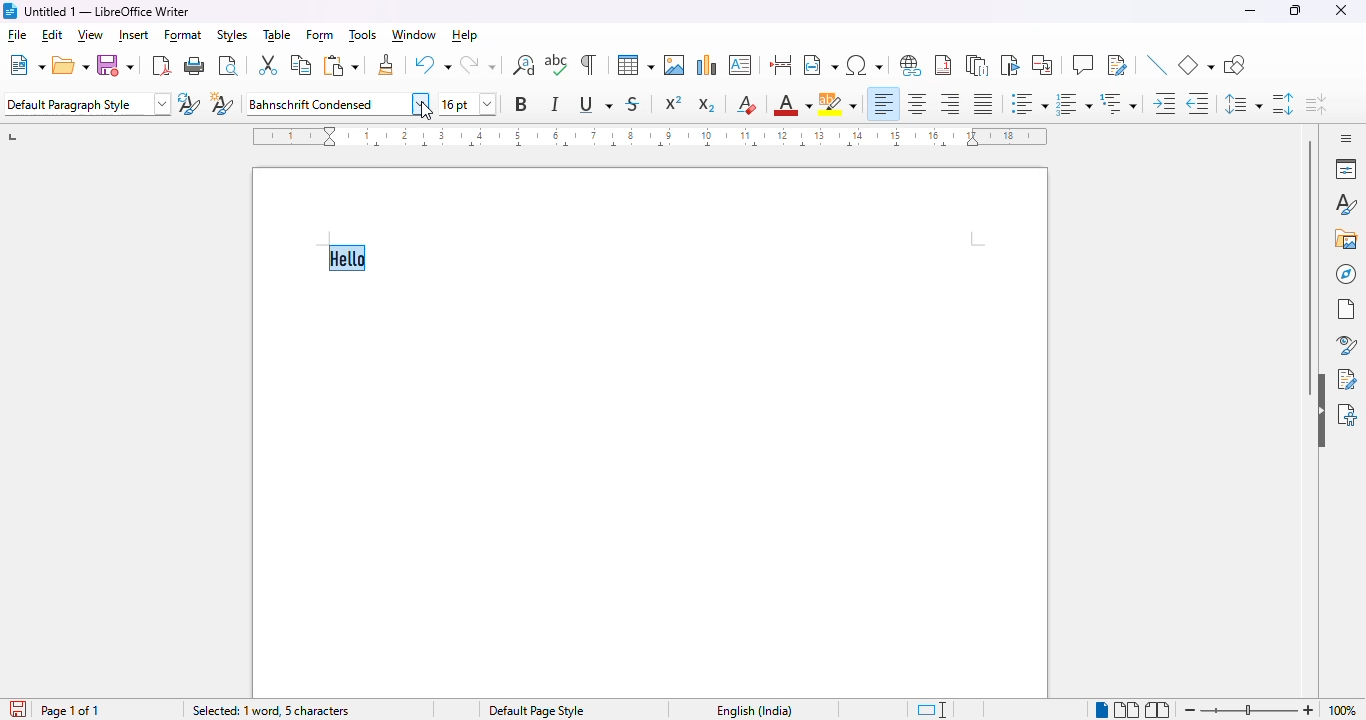  I want to click on toggle formatting marks, so click(588, 64).